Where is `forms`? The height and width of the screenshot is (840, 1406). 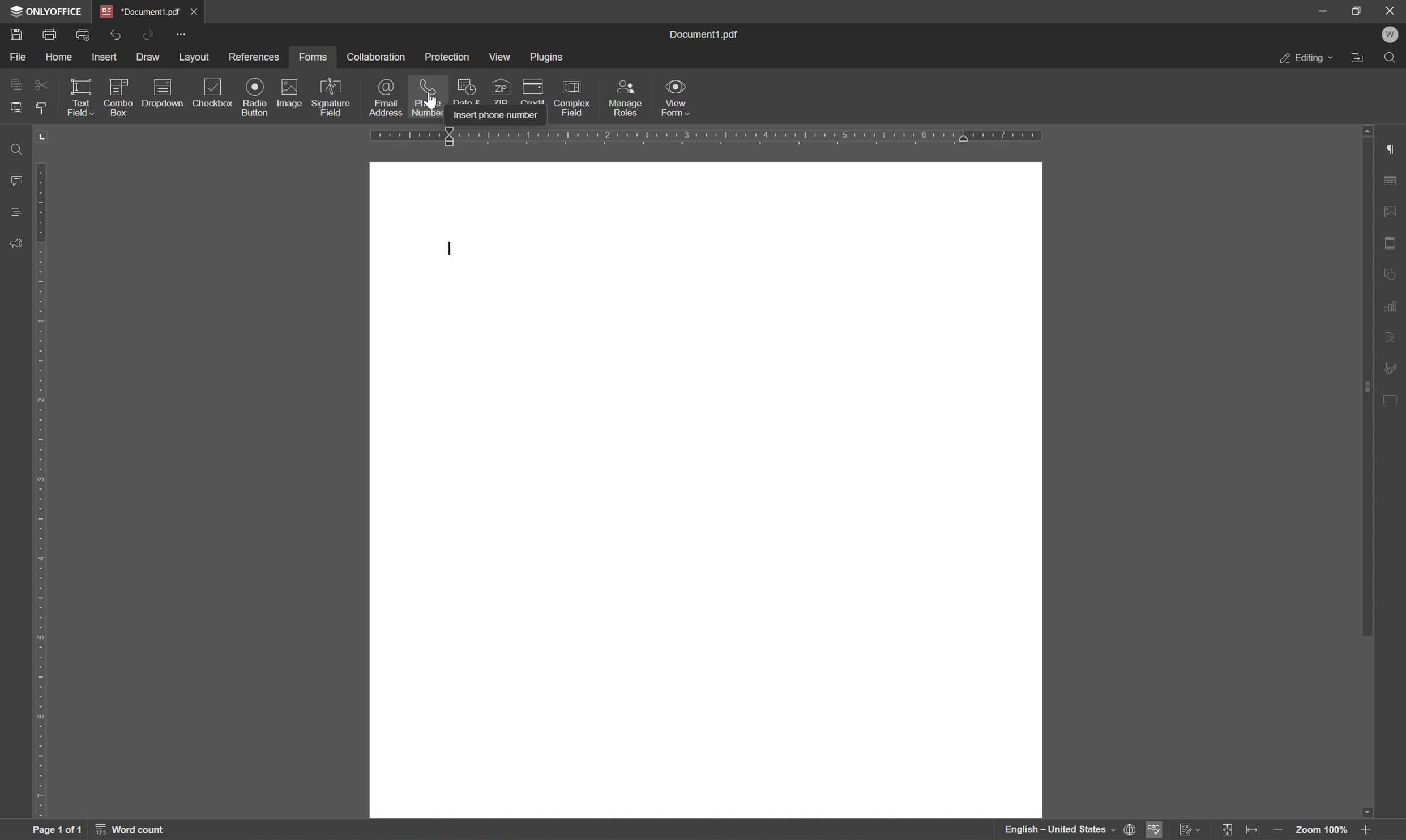
forms is located at coordinates (314, 58).